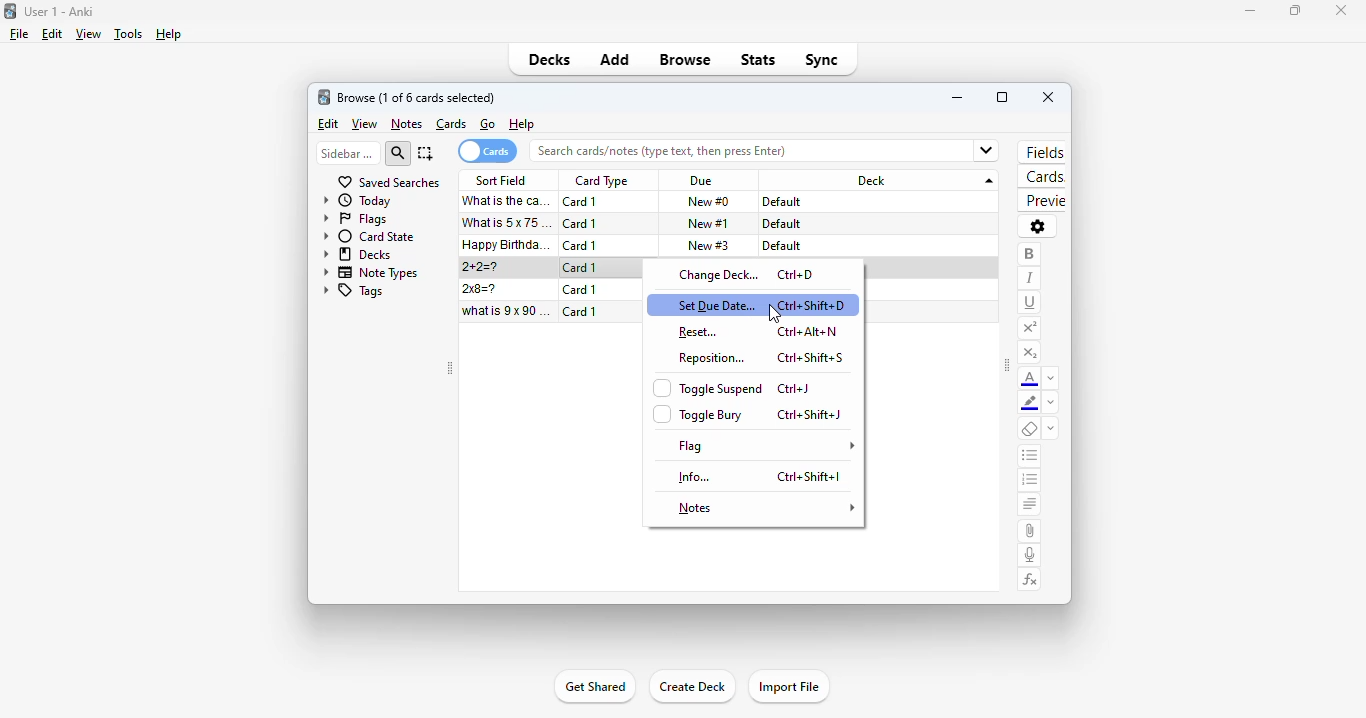 This screenshot has height=718, width=1366. Describe the element at coordinates (601, 181) in the screenshot. I see `card type` at that location.